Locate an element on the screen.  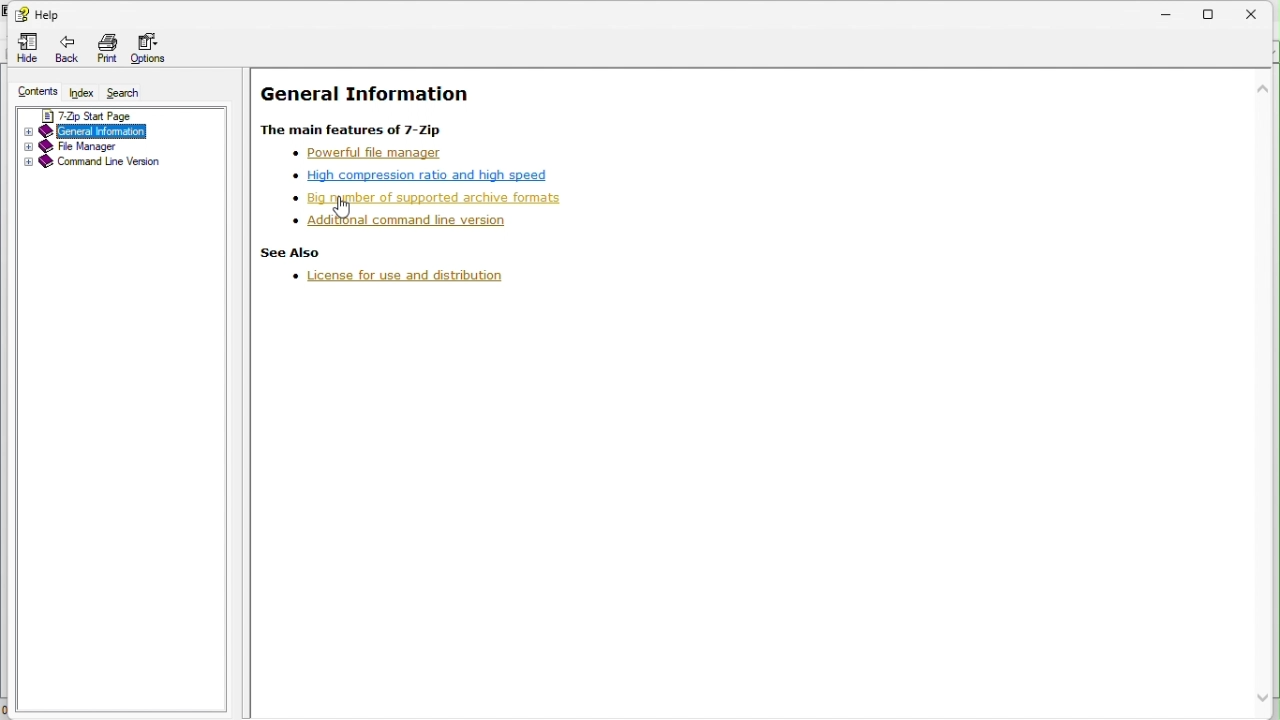
close is located at coordinates (1262, 11).